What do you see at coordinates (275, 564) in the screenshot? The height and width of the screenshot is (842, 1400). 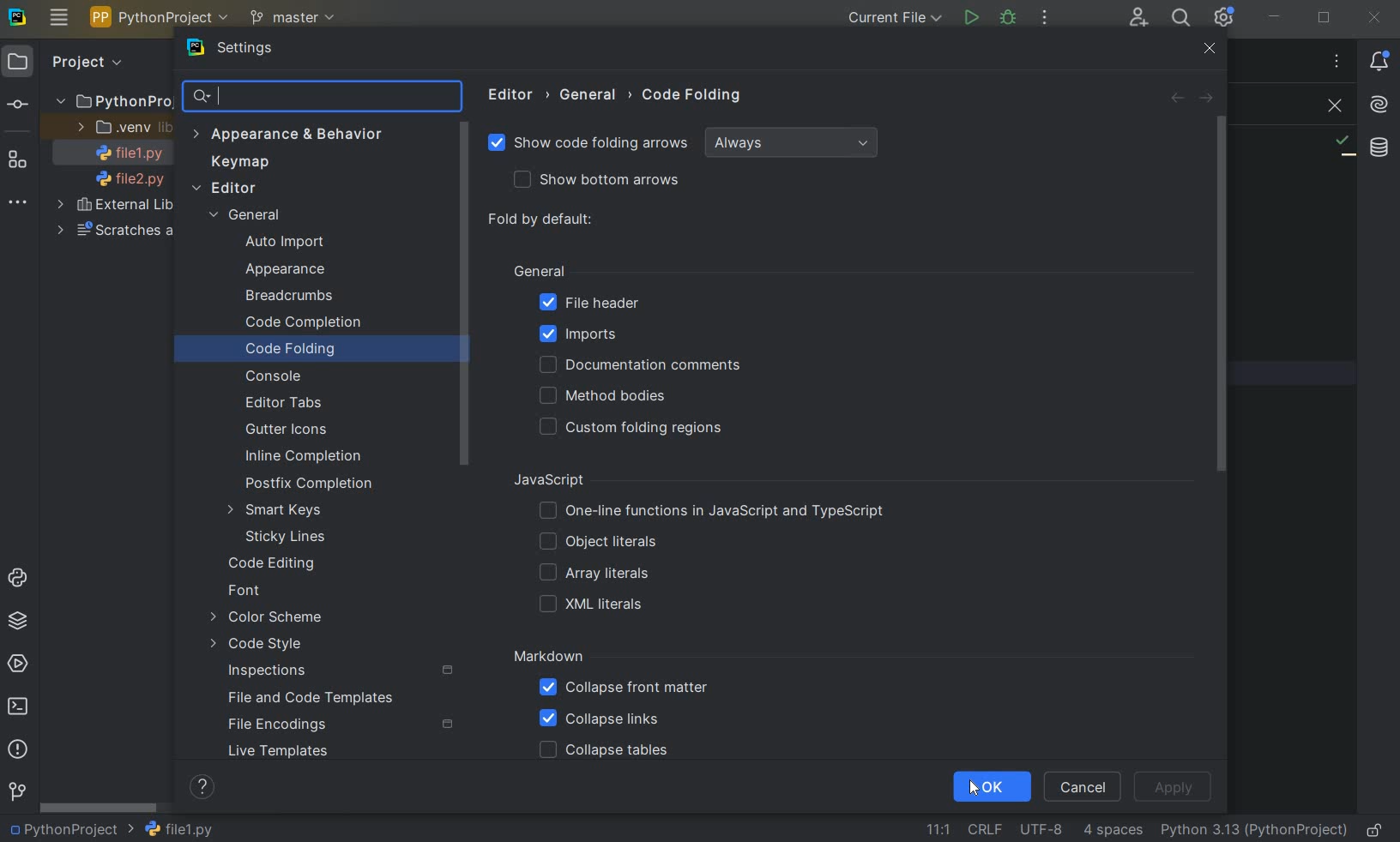 I see `CODE EDITING` at bounding box center [275, 564].